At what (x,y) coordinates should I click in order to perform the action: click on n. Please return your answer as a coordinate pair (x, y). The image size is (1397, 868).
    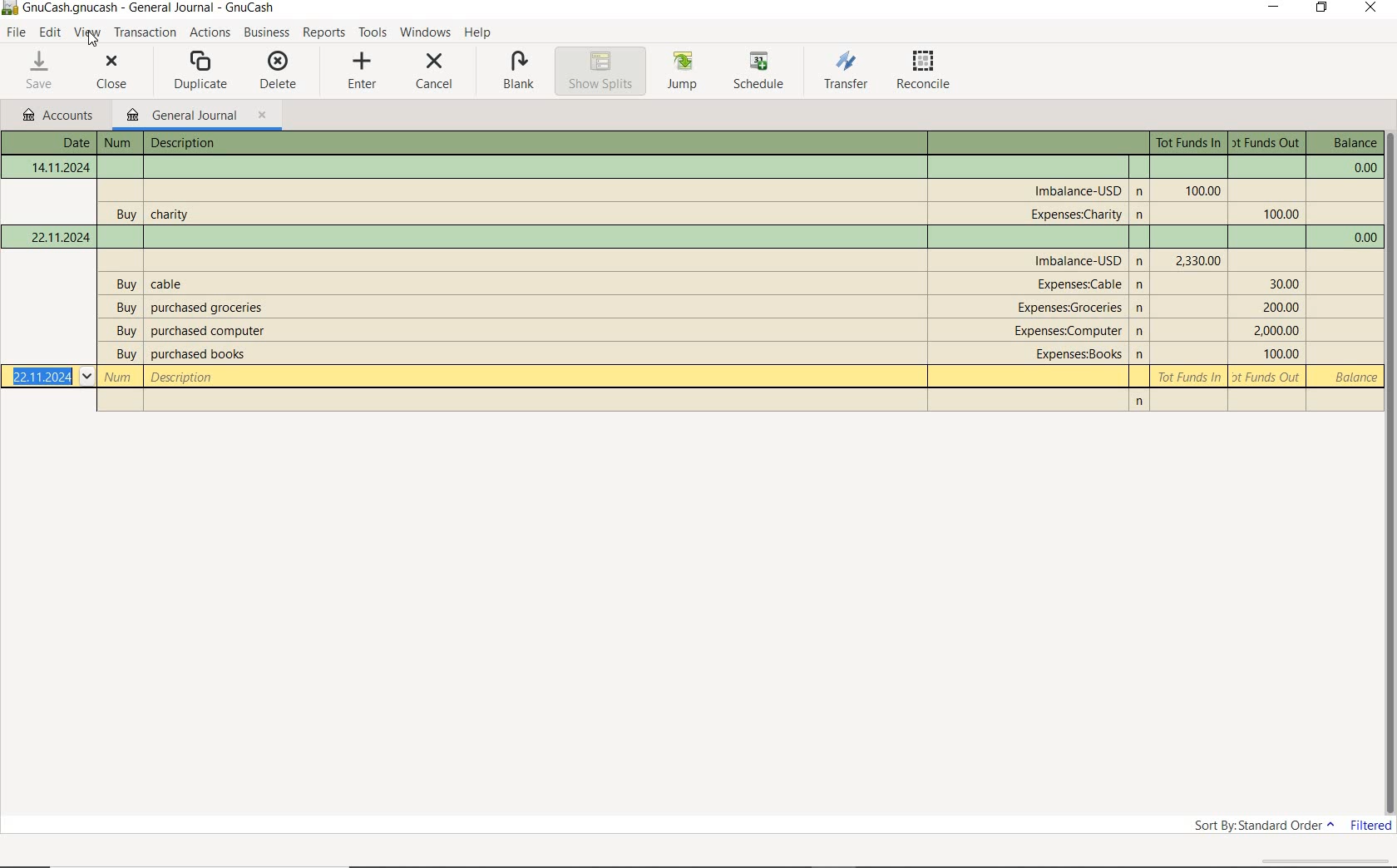
    Looking at the image, I should click on (1140, 403).